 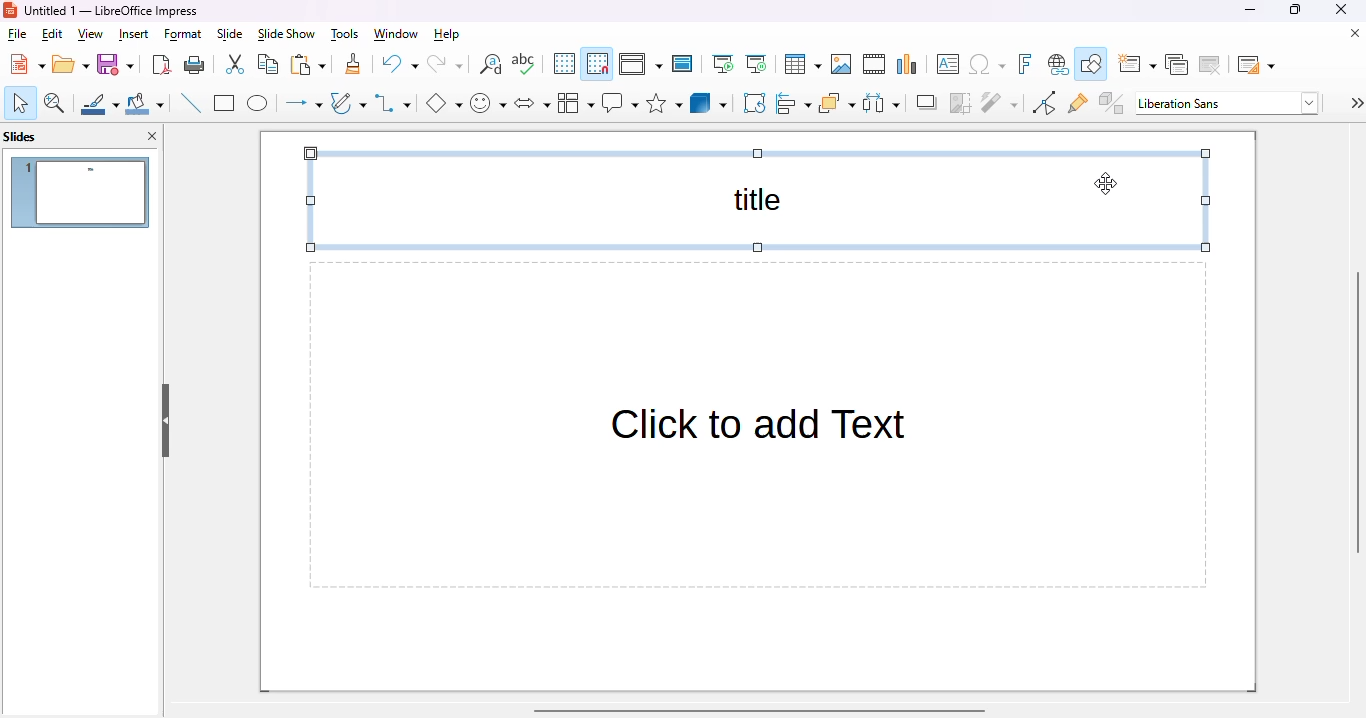 What do you see at coordinates (1295, 10) in the screenshot?
I see `maximize` at bounding box center [1295, 10].